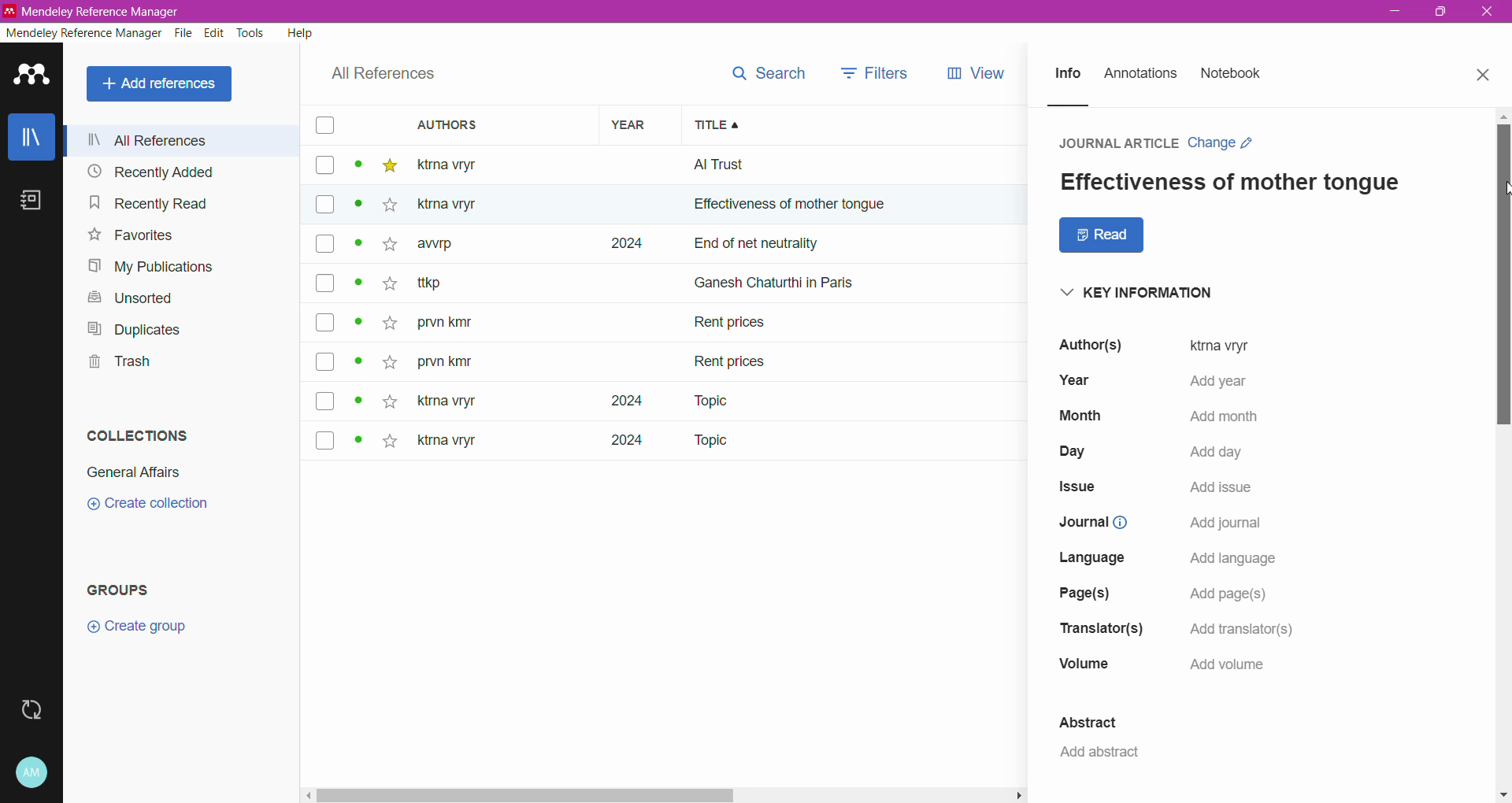  What do you see at coordinates (709, 442) in the screenshot?
I see `Topic` at bounding box center [709, 442].